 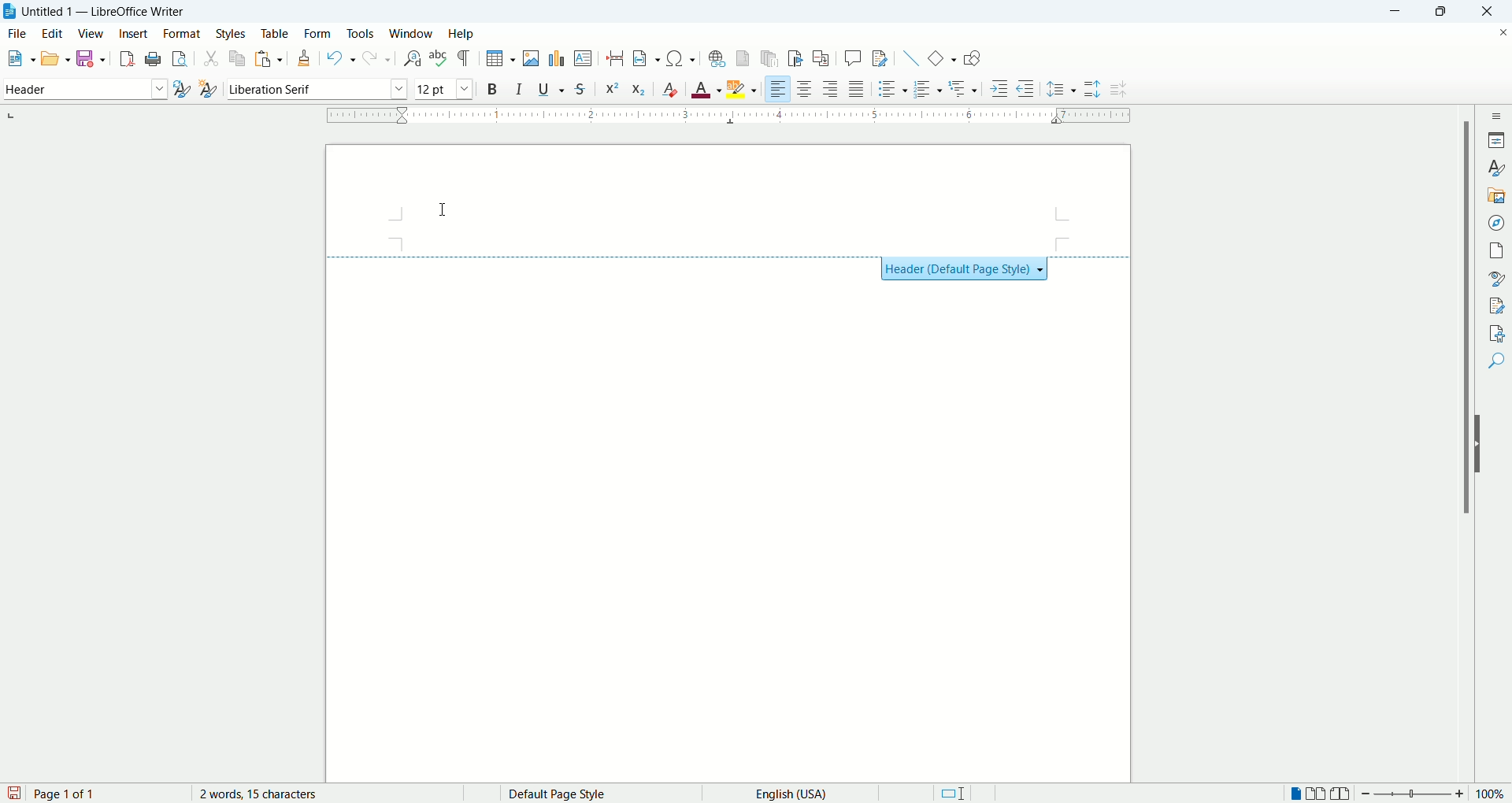 What do you see at coordinates (1316, 792) in the screenshot?
I see `double page view` at bounding box center [1316, 792].